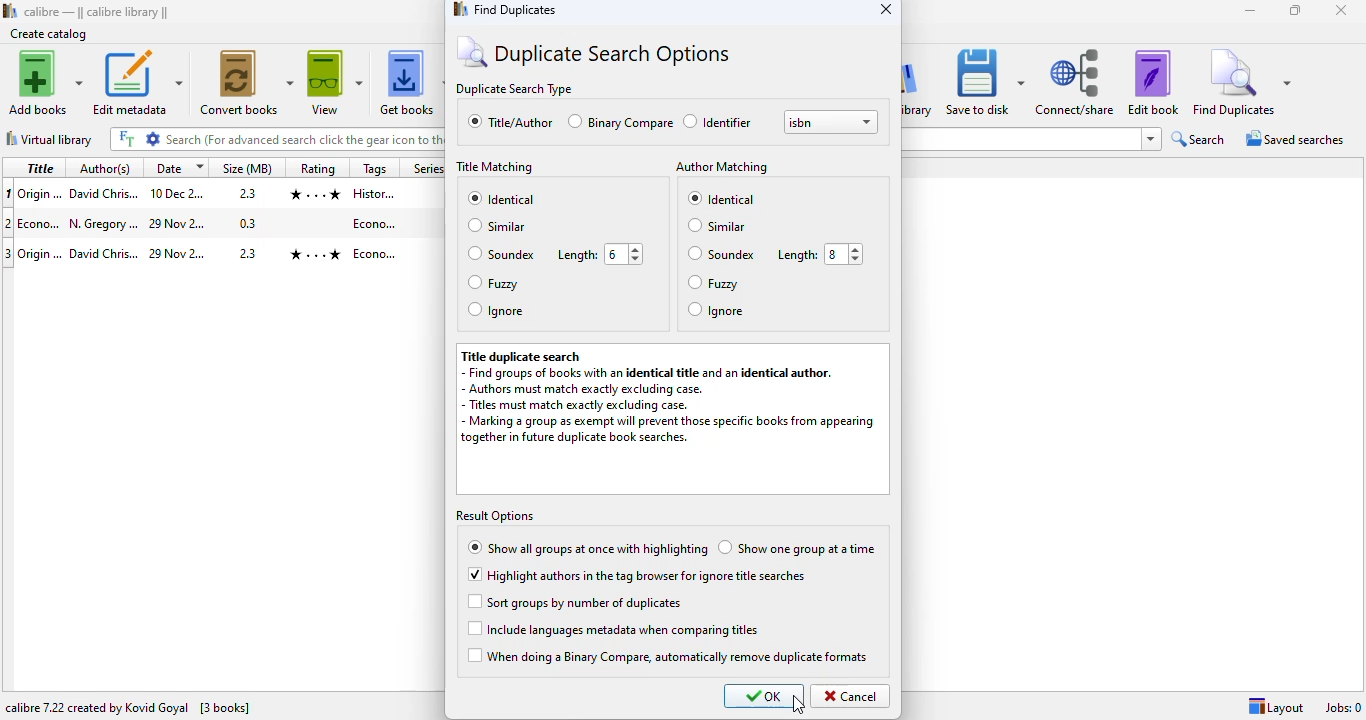 The image size is (1366, 720). What do you see at coordinates (593, 51) in the screenshot?
I see `duplicate search options` at bounding box center [593, 51].